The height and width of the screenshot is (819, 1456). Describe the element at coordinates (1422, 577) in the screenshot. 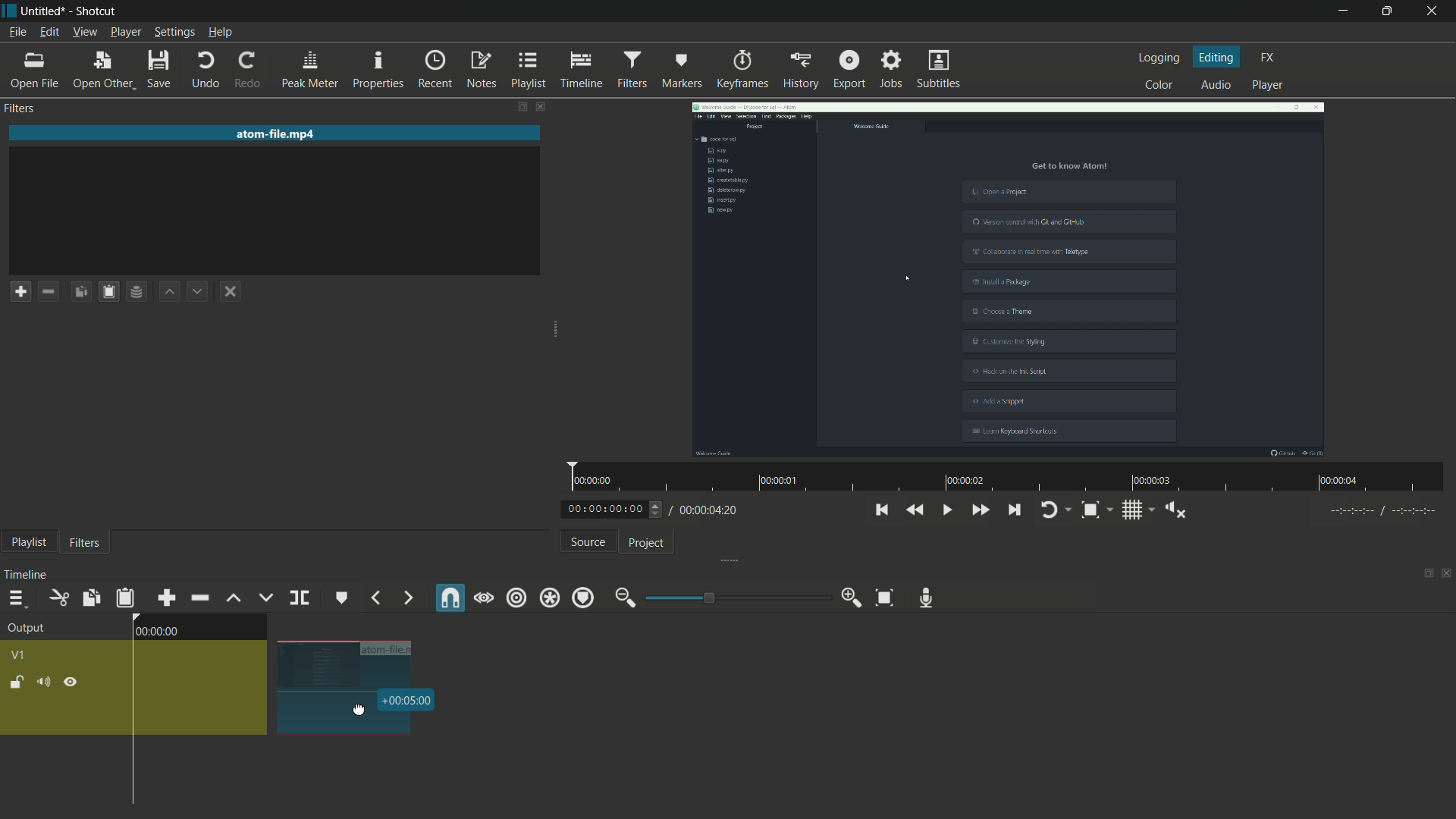

I see `change layout` at that location.